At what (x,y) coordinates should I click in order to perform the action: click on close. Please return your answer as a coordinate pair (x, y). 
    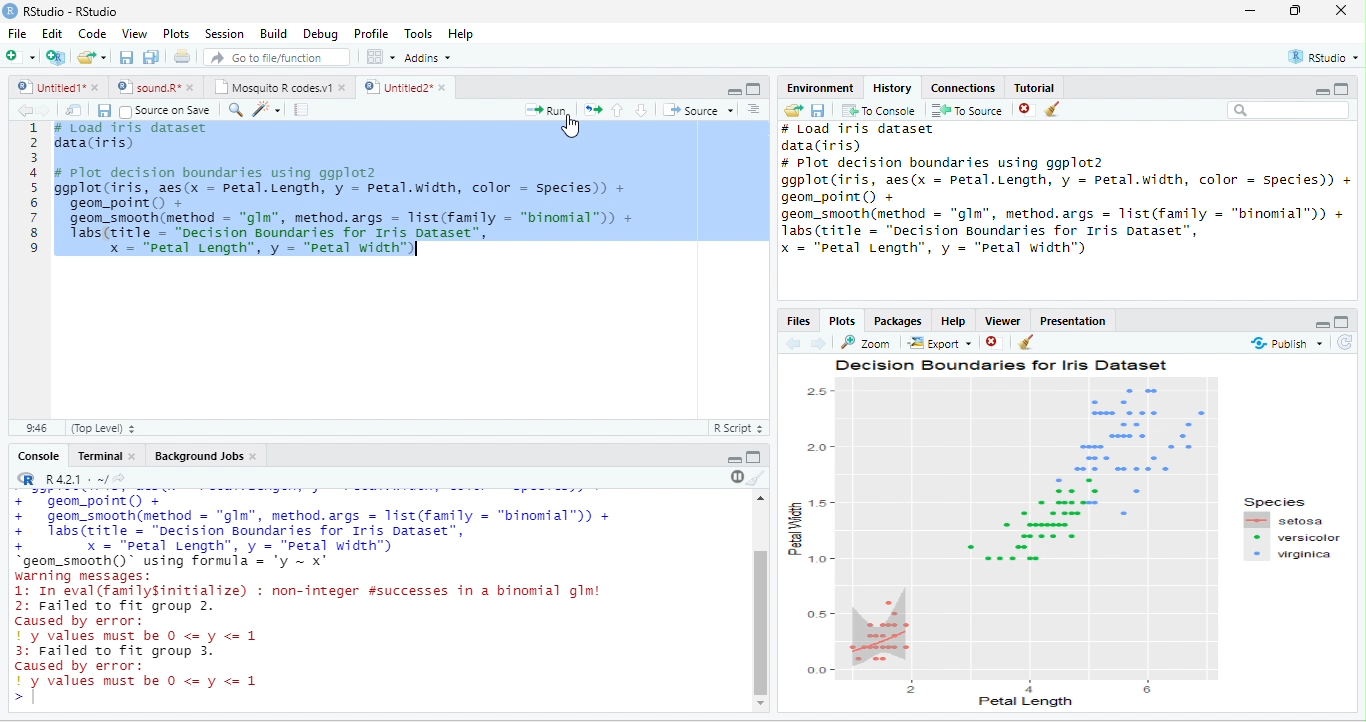
    Looking at the image, I should click on (134, 457).